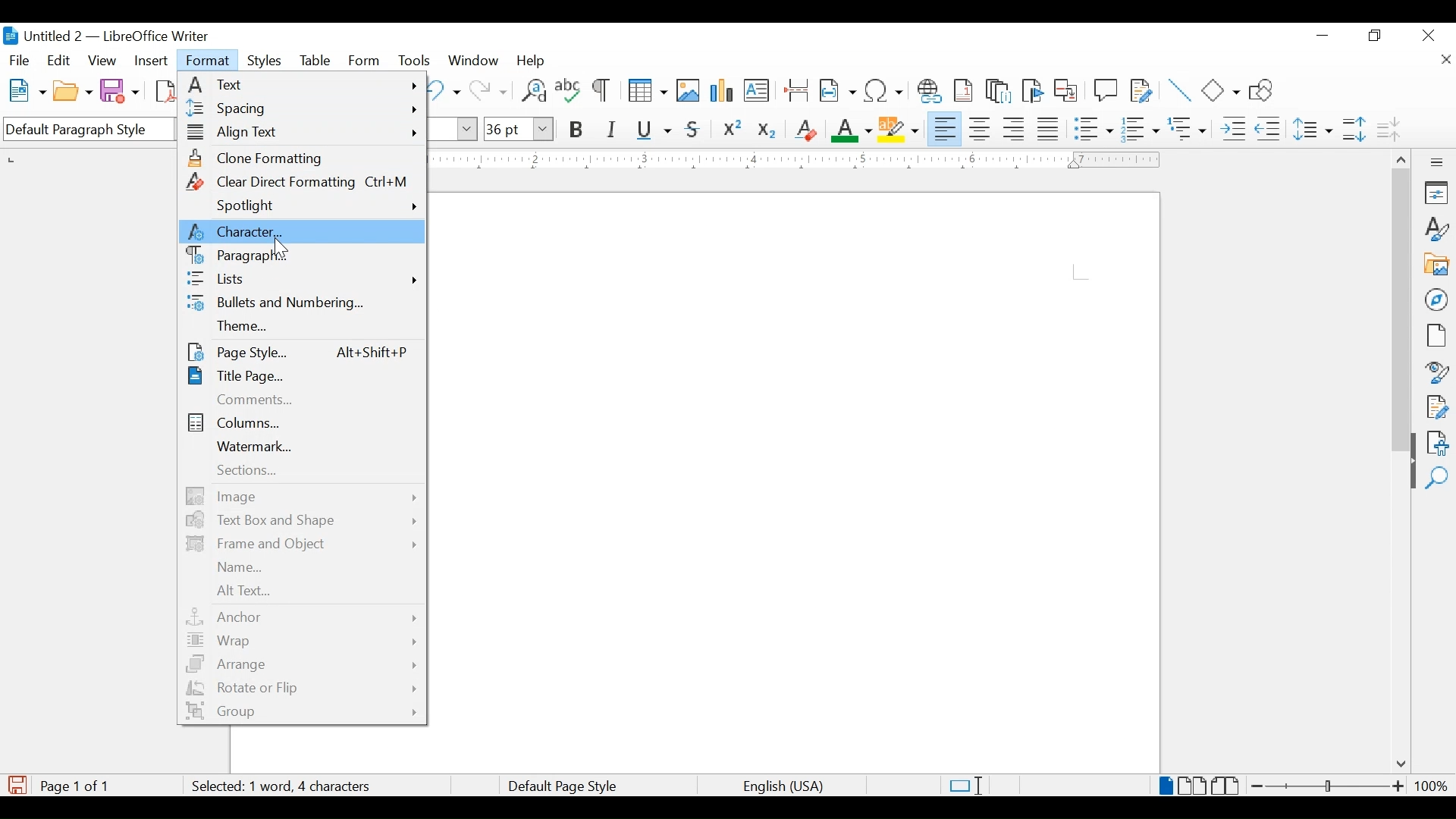 Image resolution: width=1456 pixels, height=819 pixels. What do you see at coordinates (1437, 407) in the screenshot?
I see `manage changes` at bounding box center [1437, 407].